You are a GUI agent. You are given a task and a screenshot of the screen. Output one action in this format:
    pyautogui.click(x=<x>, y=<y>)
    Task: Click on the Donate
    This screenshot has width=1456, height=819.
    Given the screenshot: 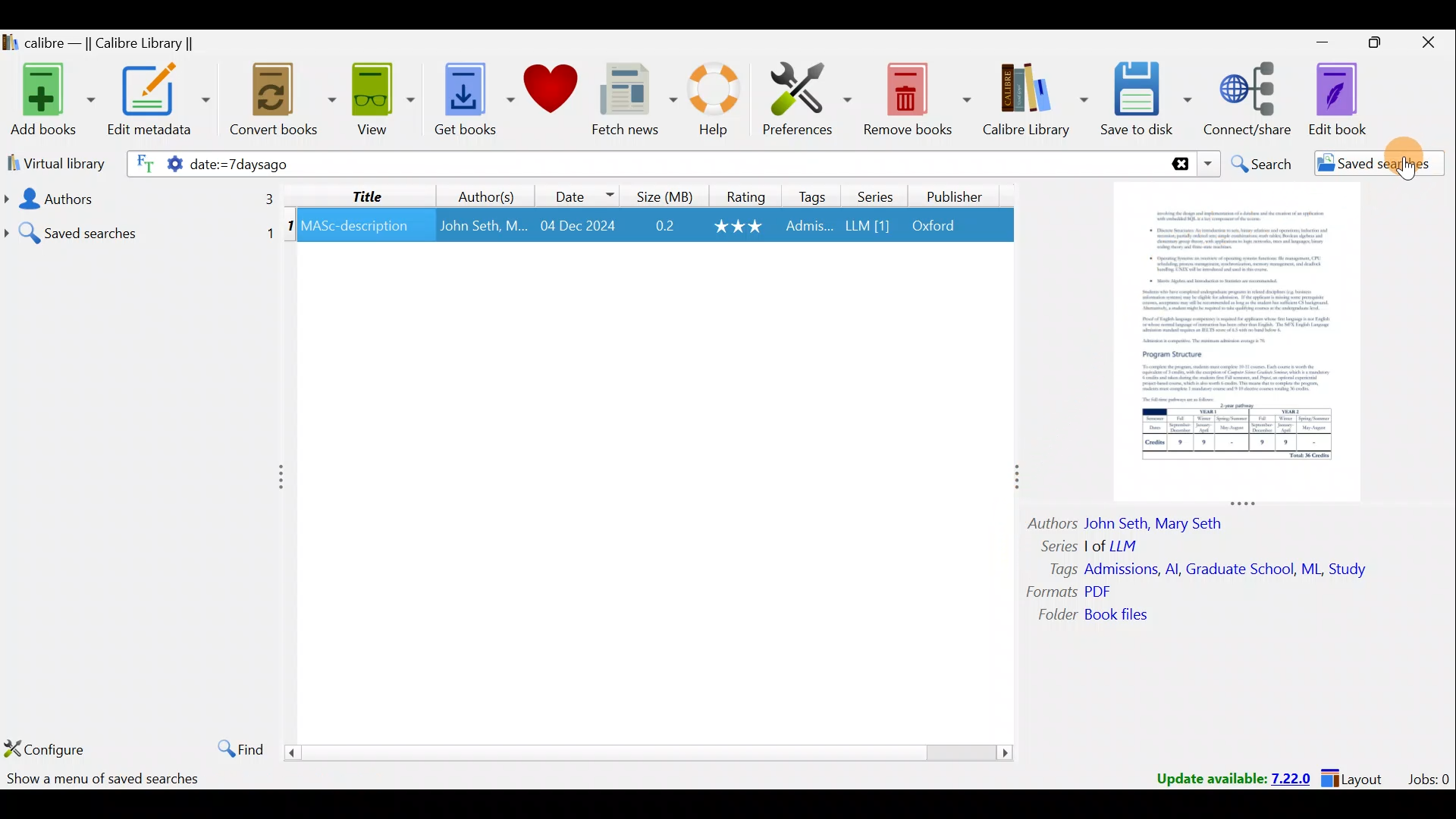 What is the action you would take?
    pyautogui.click(x=550, y=91)
    